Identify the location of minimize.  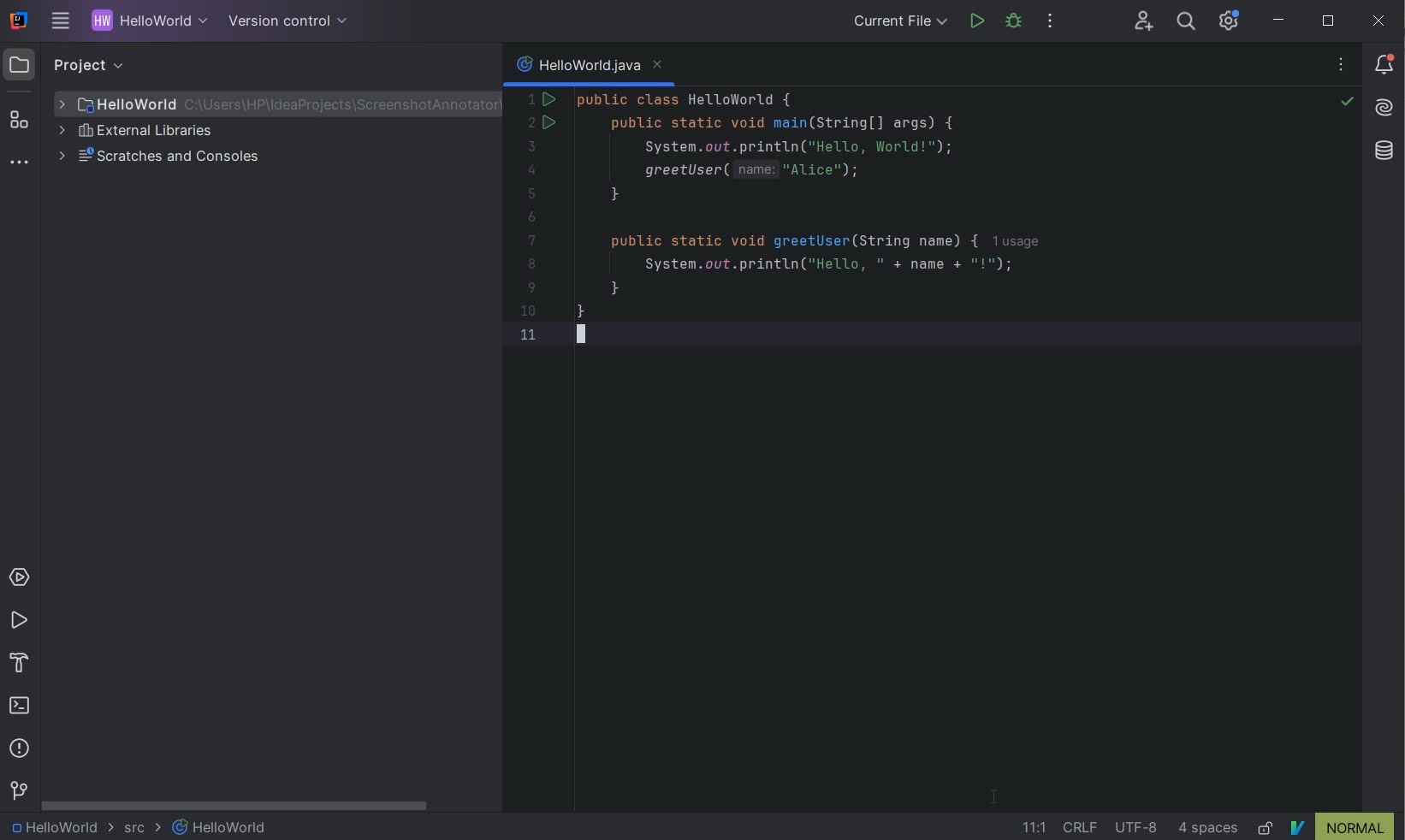
(1280, 21).